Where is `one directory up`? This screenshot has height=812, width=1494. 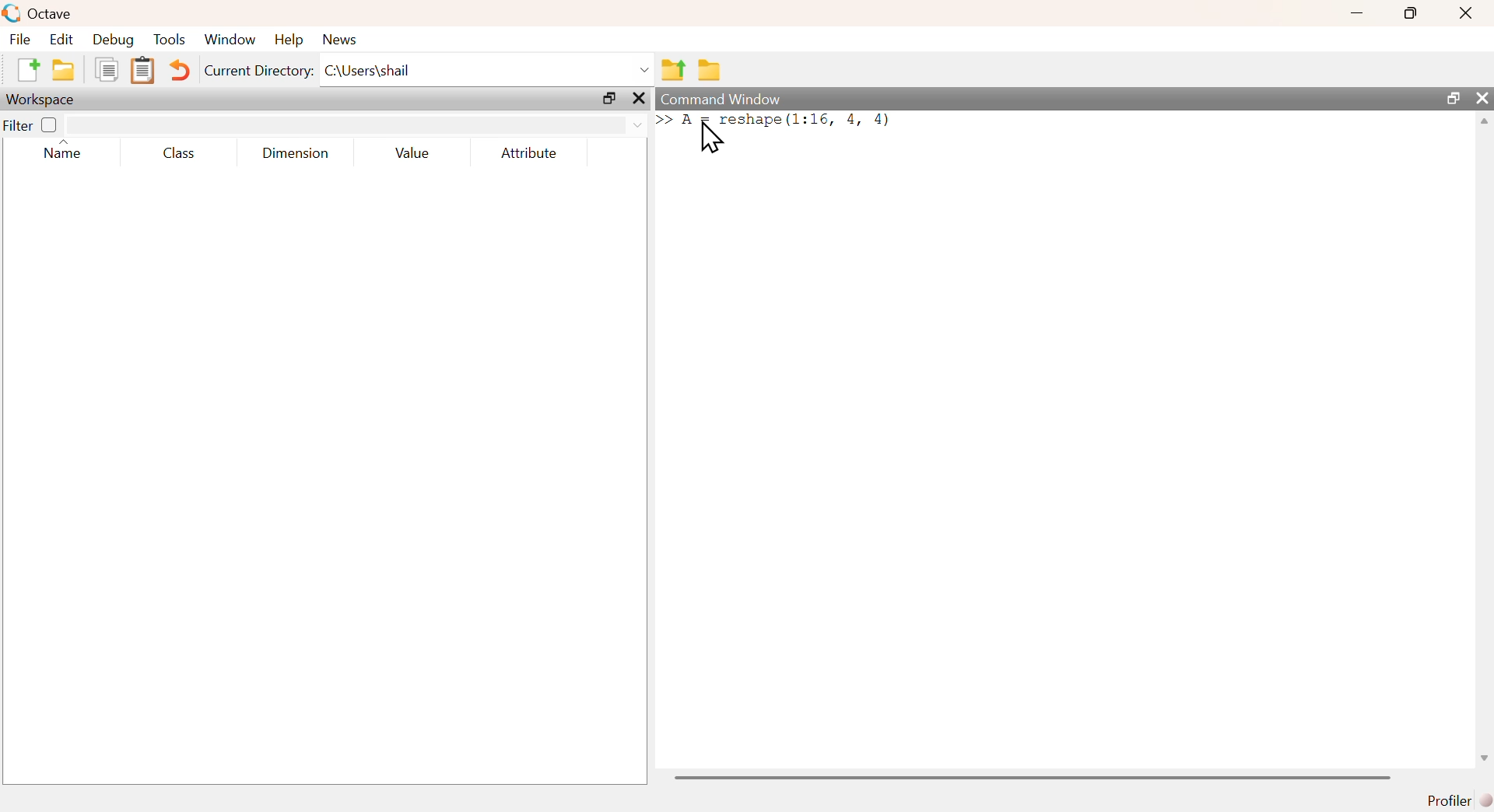 one directory up is located at coordinates (673, 70).